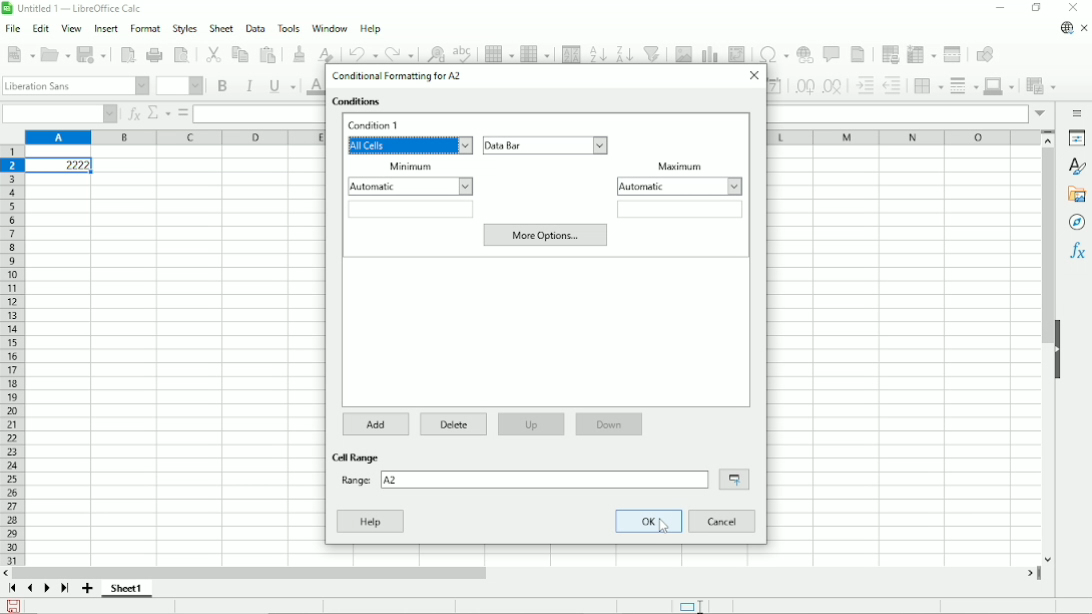 The image size is (1092, 614). Describe the element at coordinates (255, 28) in the screenshot. I see `Data` at that location.